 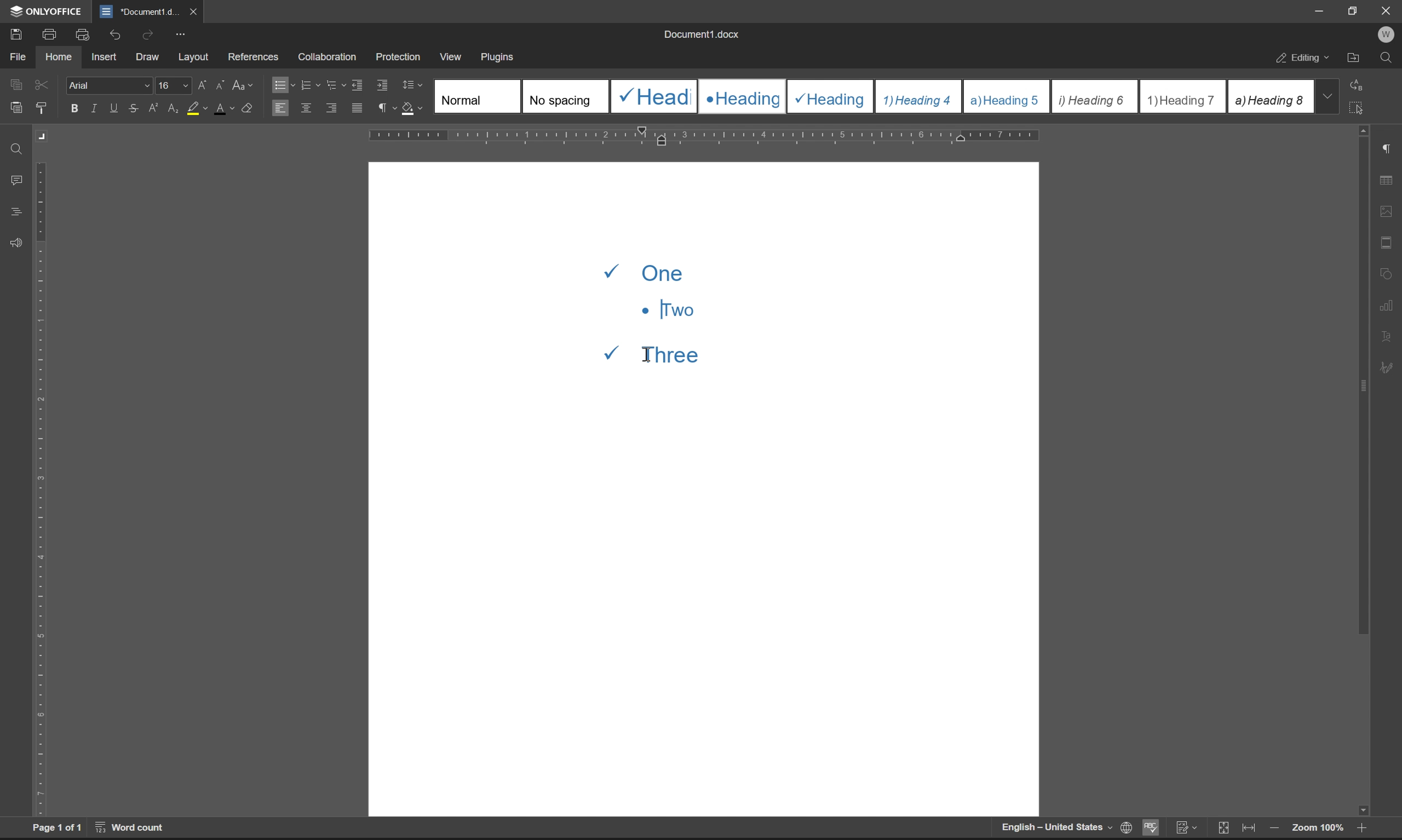 What do you see at coordinates (1386, 58) in the screenshot?
I see `find` at bounding box center [1386, 58].